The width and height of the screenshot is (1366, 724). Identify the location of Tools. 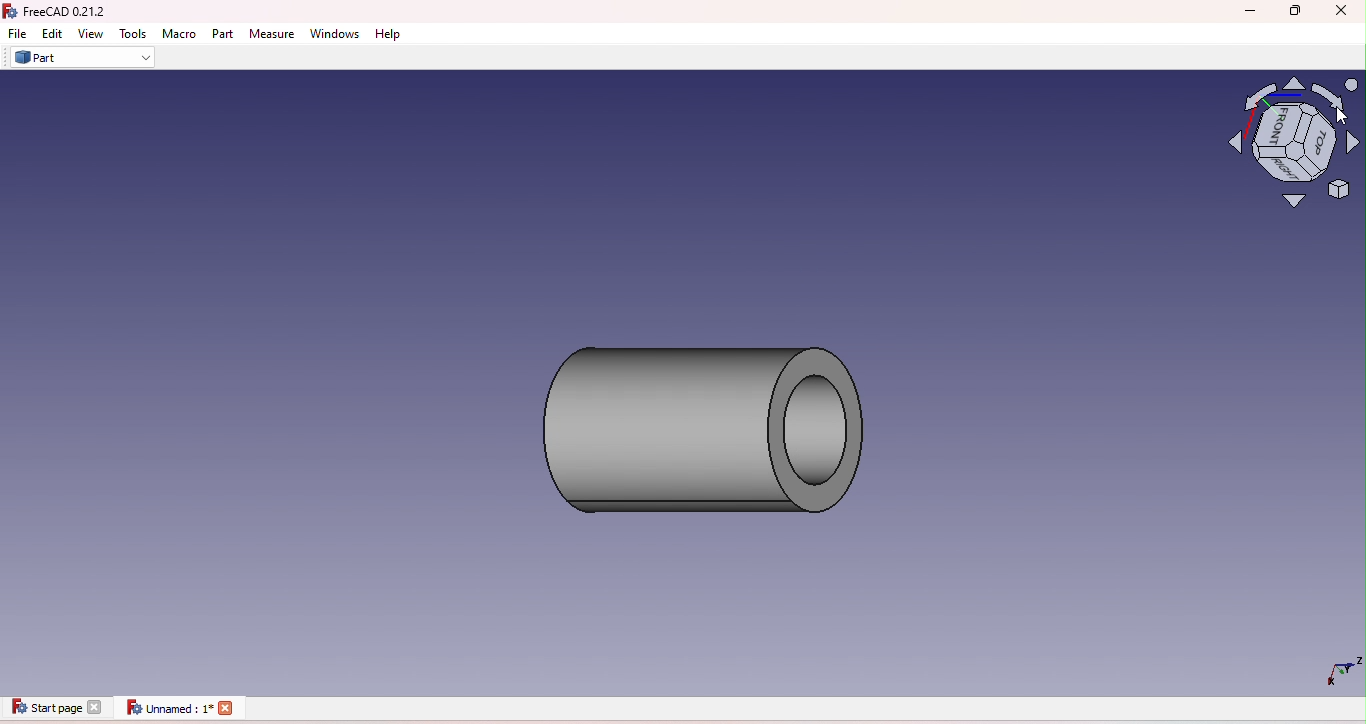
(131, 34).